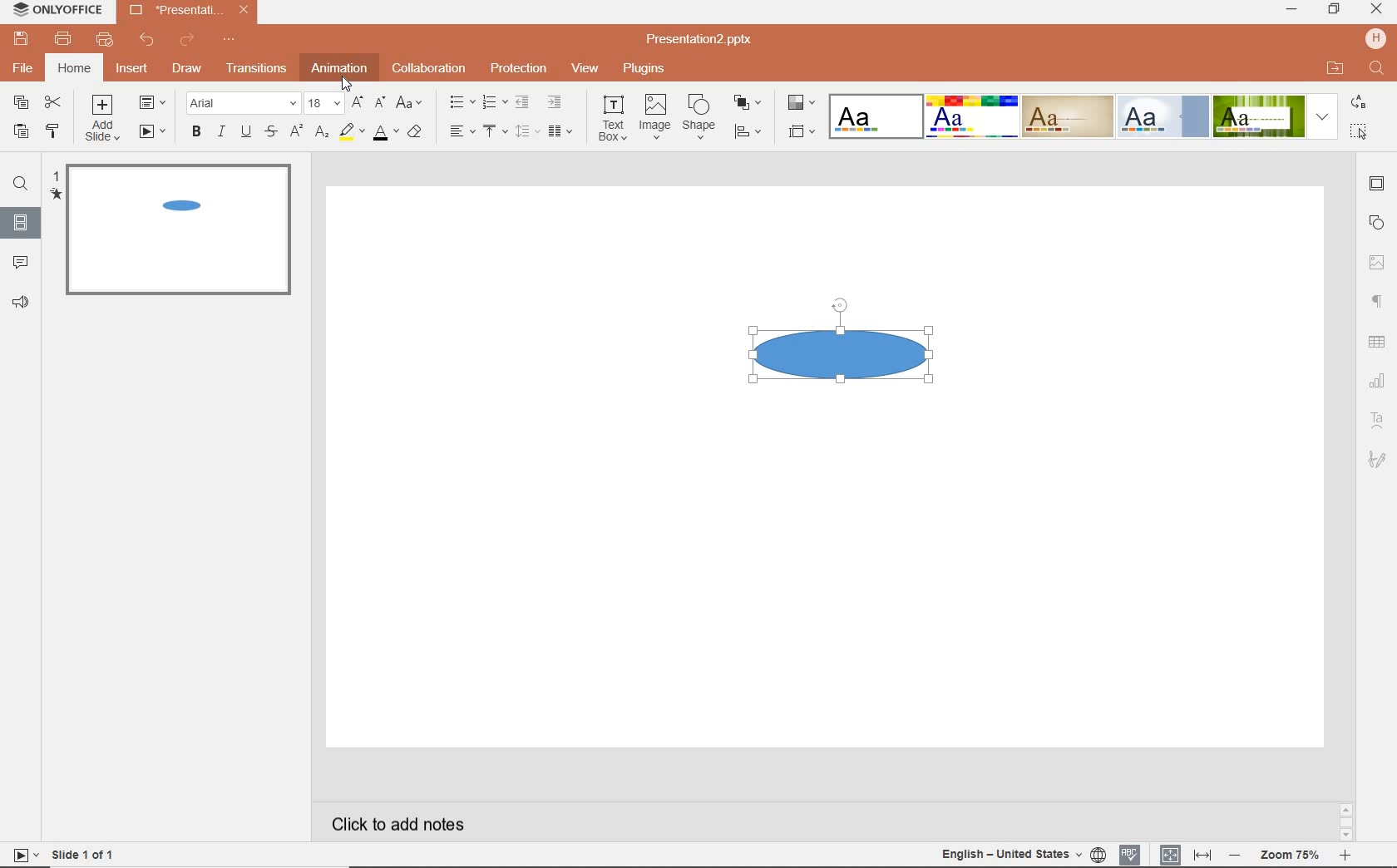  Describe the element at coordinates (66, 39) in the screenshot. I see `print` at that location.